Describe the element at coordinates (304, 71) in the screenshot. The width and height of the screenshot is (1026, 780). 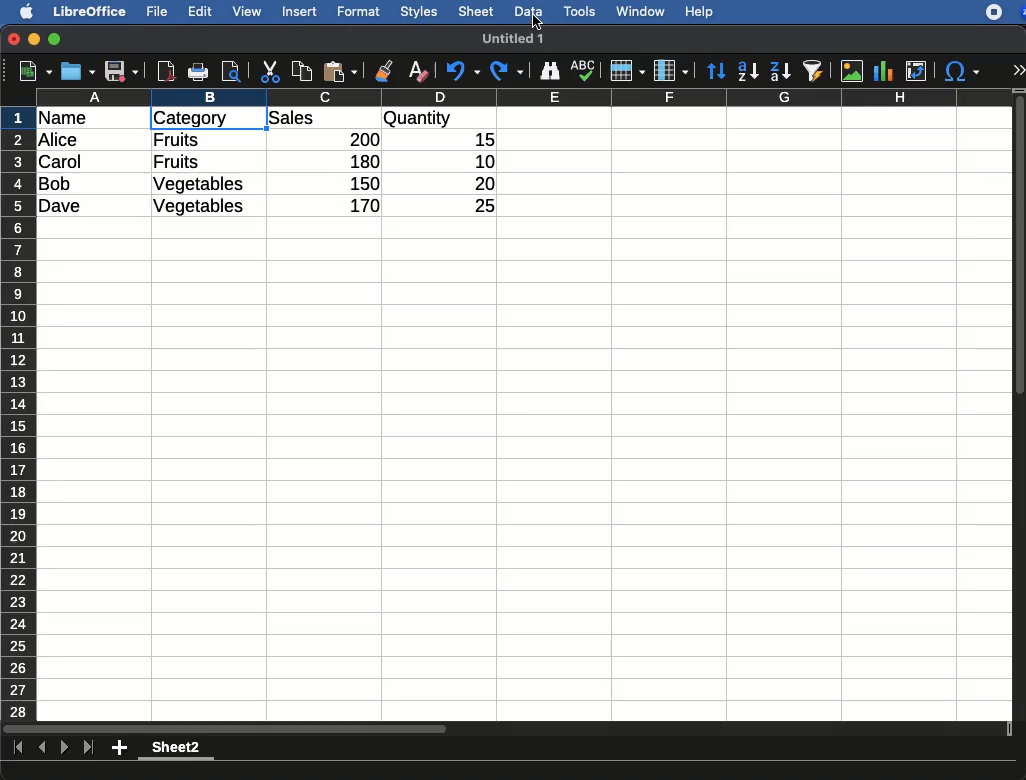
I see `copy` at that location.